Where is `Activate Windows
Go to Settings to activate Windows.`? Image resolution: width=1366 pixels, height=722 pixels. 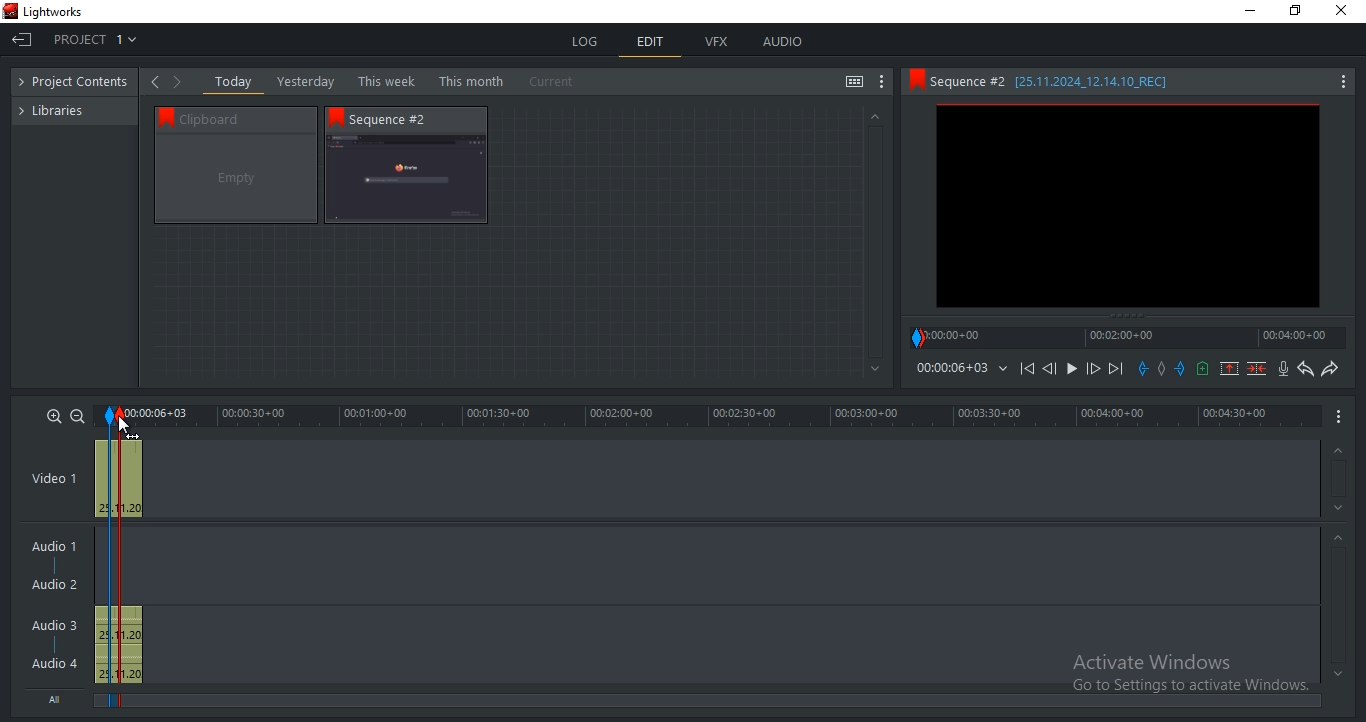 Activate Windows
Go to Settings to activate Windows. is located at coordinates (1190, 675).